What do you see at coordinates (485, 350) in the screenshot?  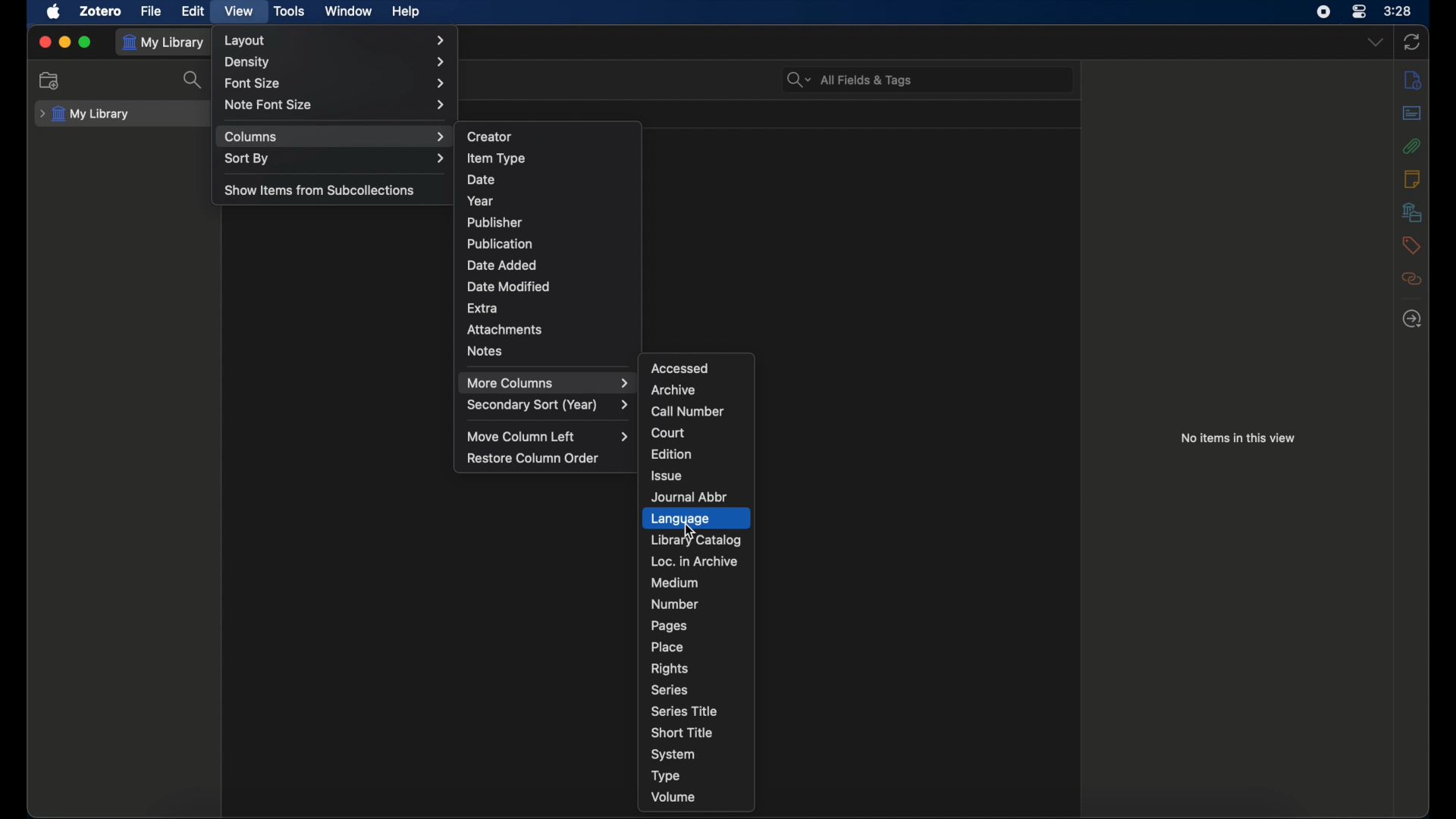 I see `notes` at bounding box center [485, 350].